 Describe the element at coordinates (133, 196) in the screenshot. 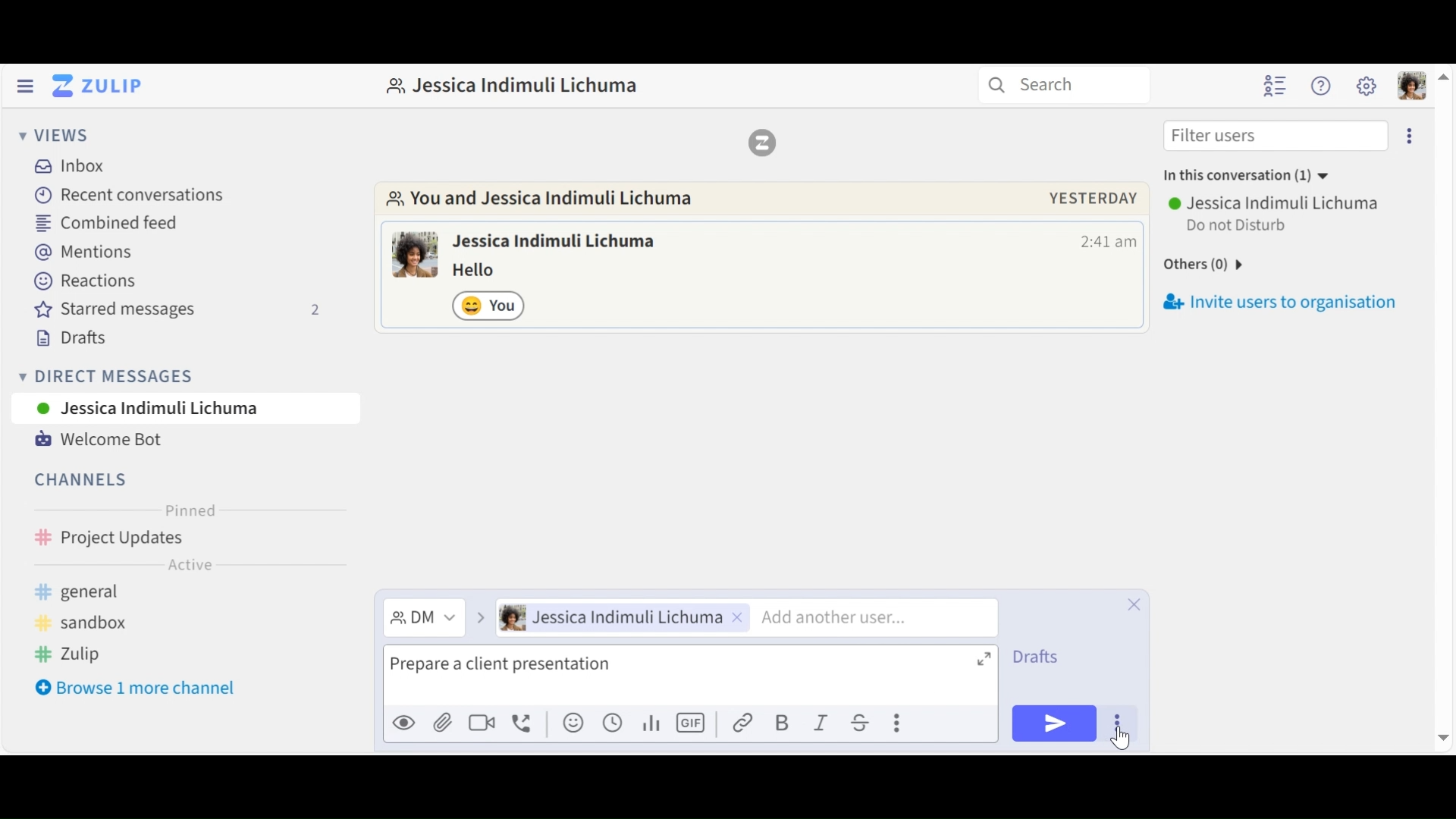

I see `Recent conversations` at that location.